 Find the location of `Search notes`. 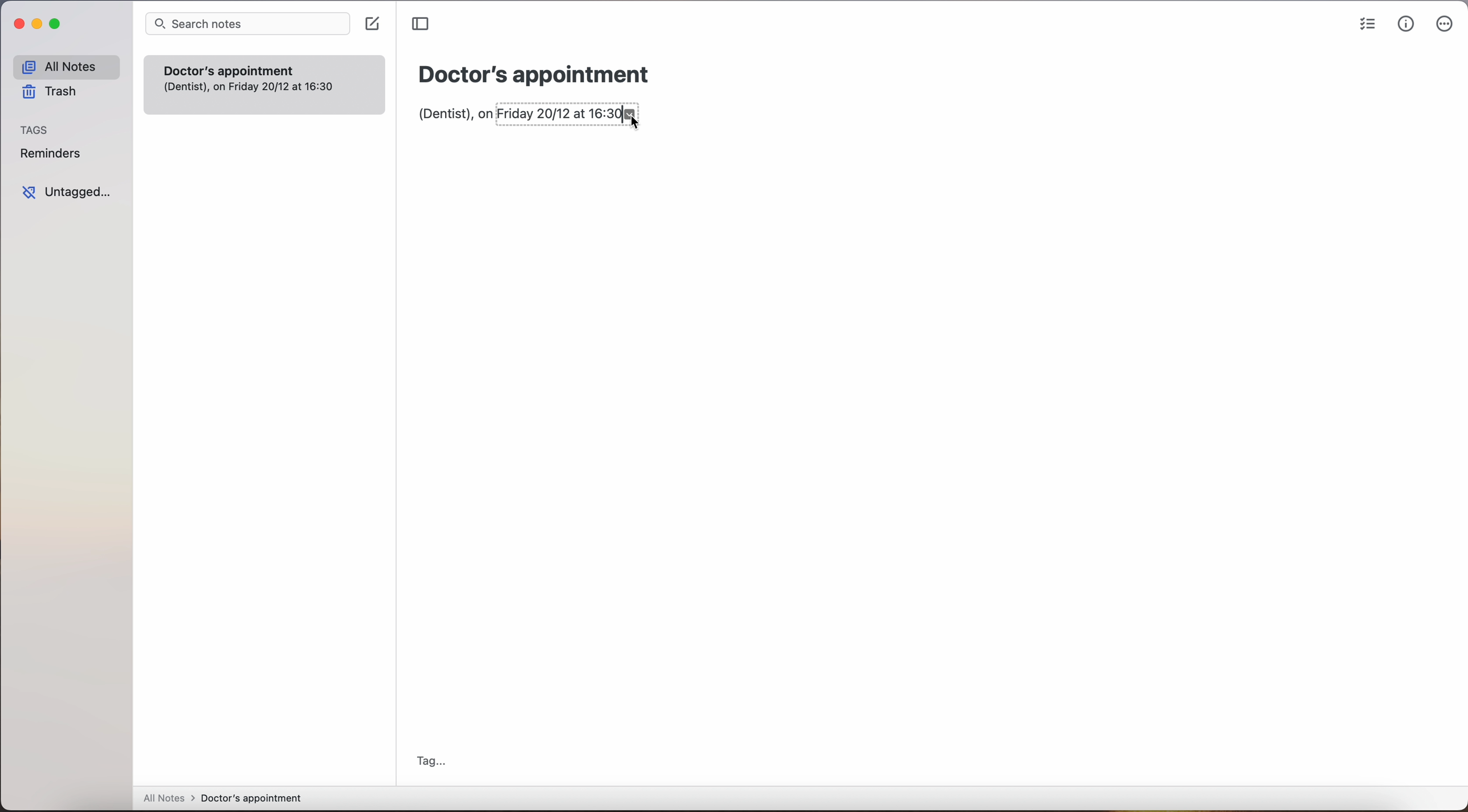

Search notes is located at coordinates (246, 23).